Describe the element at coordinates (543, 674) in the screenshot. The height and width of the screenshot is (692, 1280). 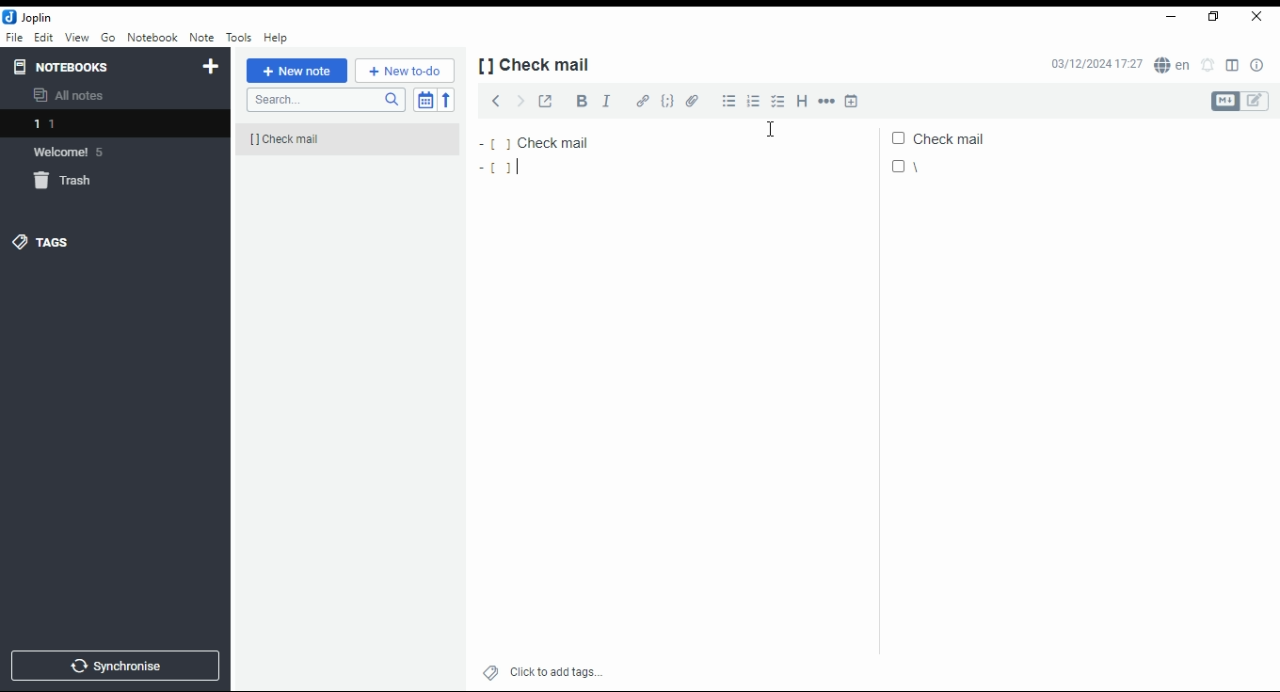
I see `click to add tags` at that location.